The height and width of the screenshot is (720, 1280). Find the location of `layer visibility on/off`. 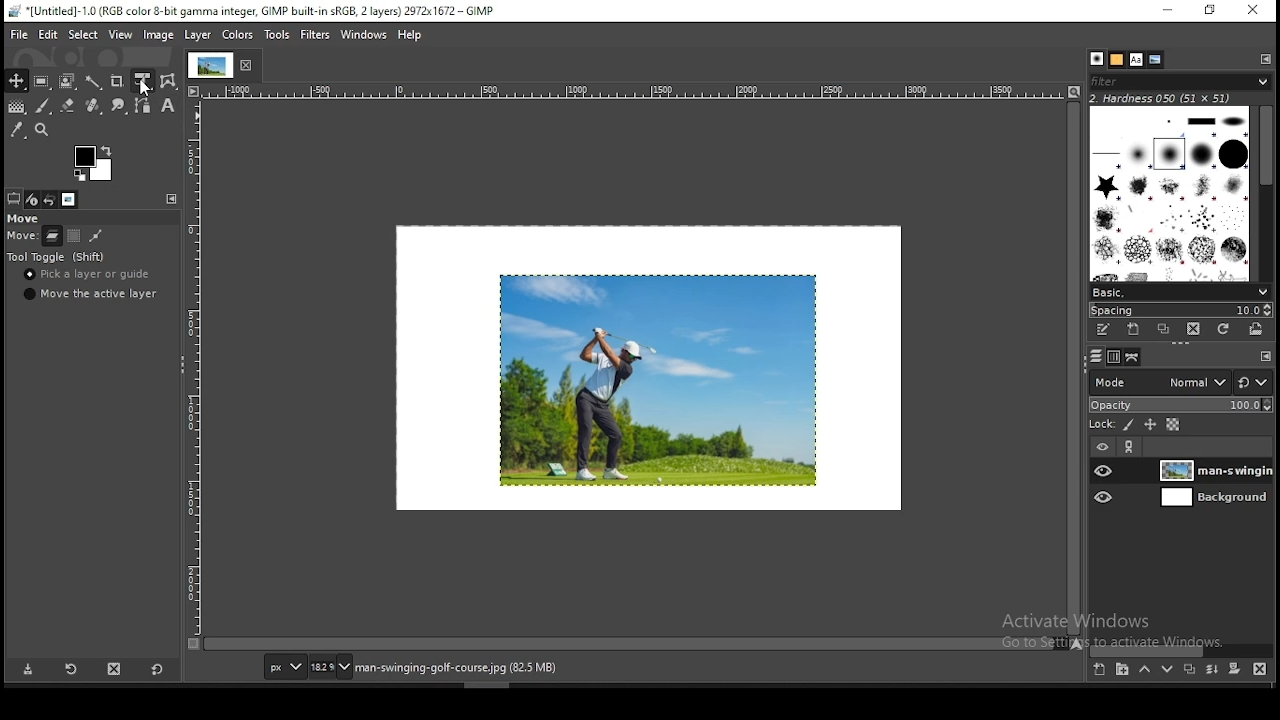

layer visibility on/off is located at coordinates (1103, 471).